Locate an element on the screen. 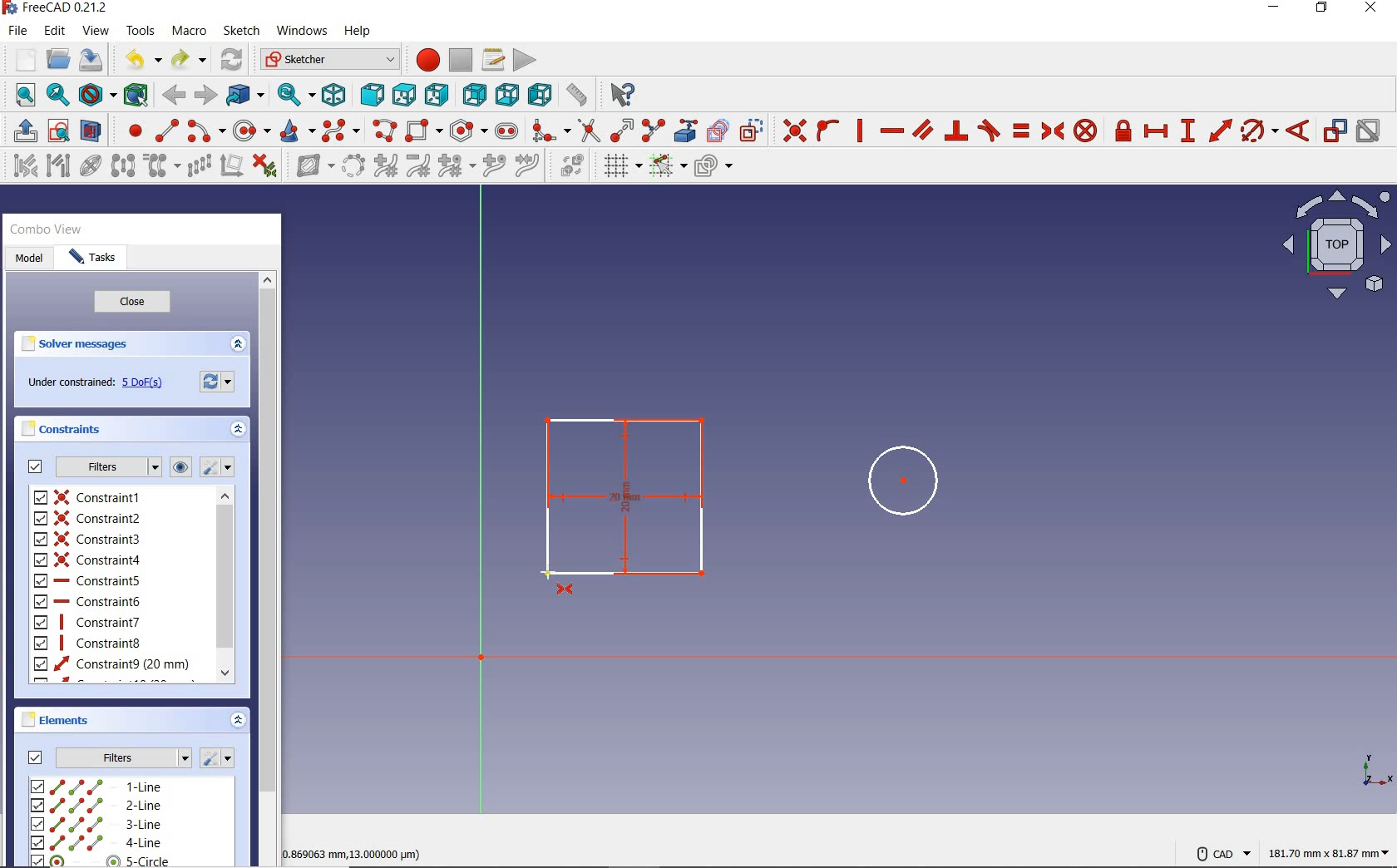 The height and width of the screenshot is (868, 1397). Scroll up is located at coordinates (268, 277).